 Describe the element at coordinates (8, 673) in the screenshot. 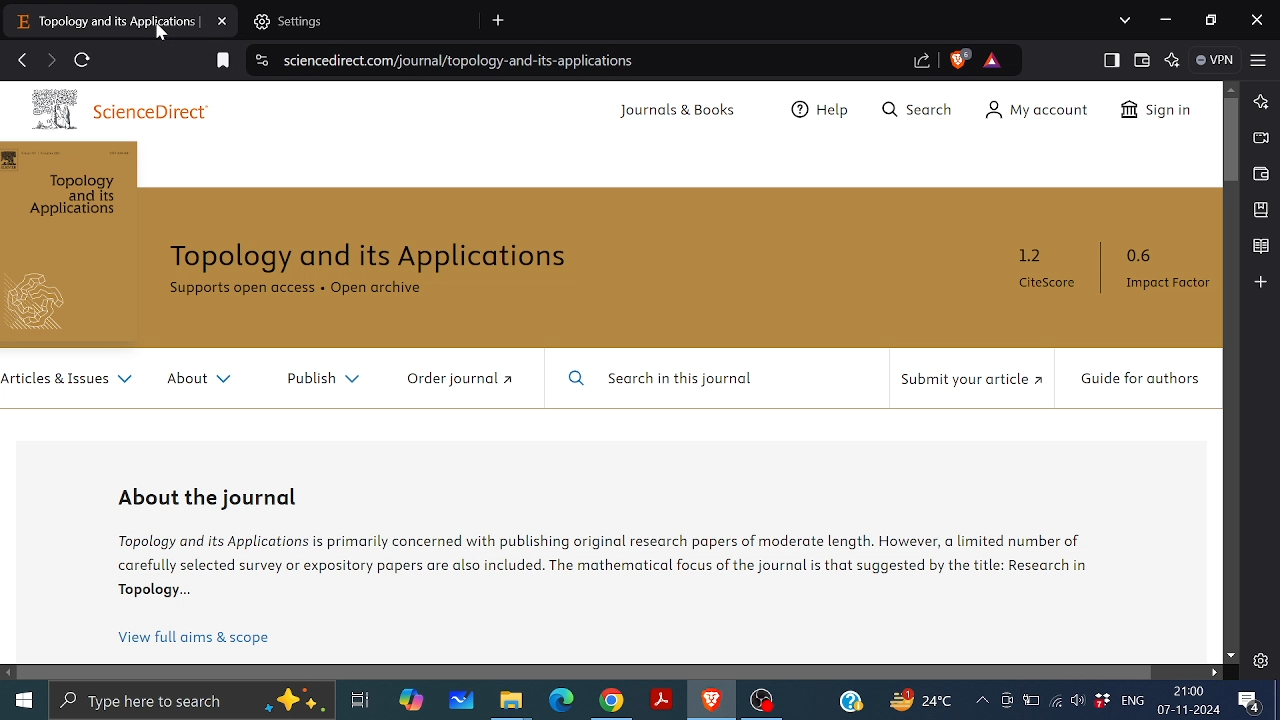

I see `Move left` at that location.